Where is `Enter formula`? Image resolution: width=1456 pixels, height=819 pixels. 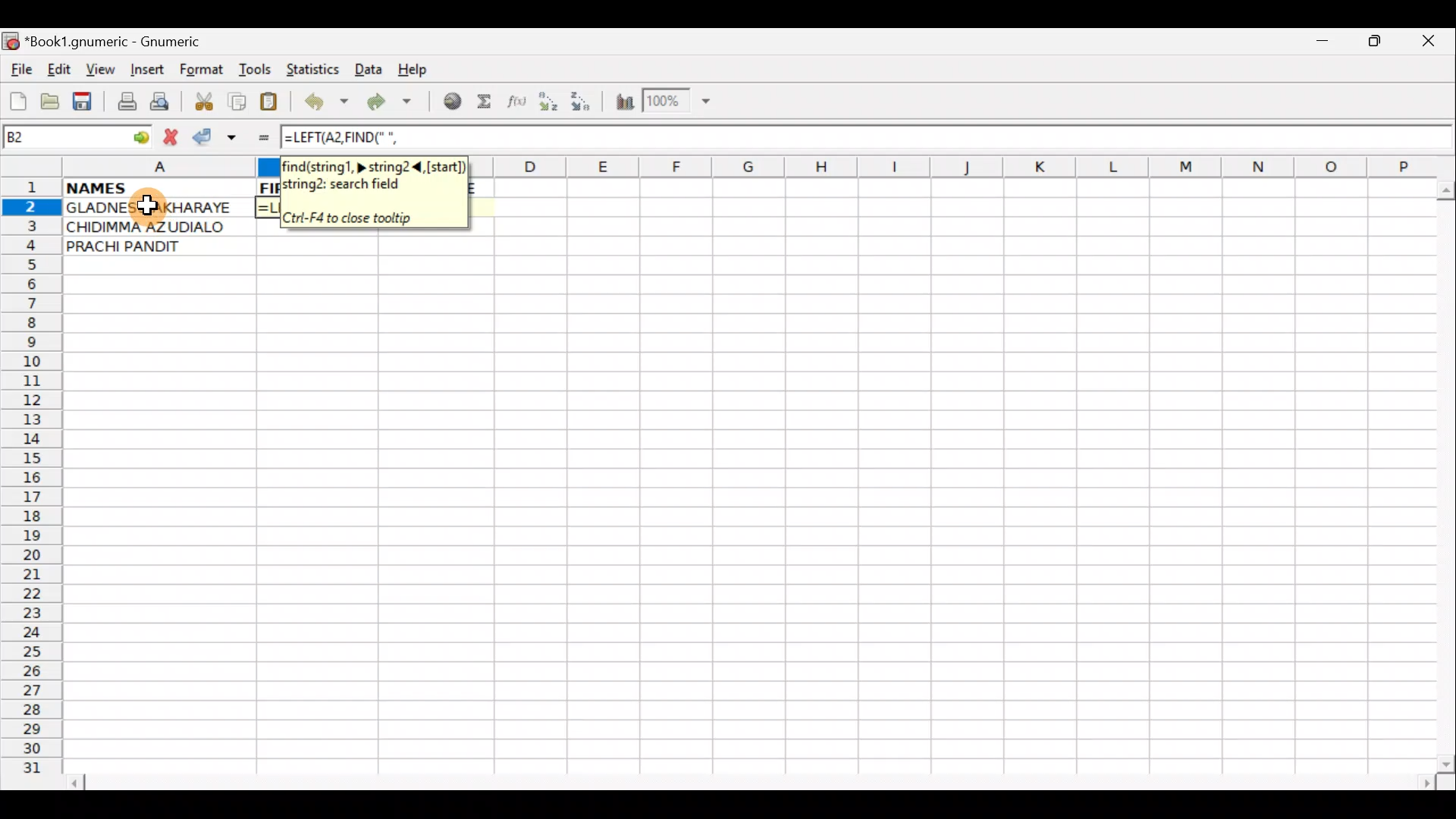 Enter formula is located at coordinates (256, 137).